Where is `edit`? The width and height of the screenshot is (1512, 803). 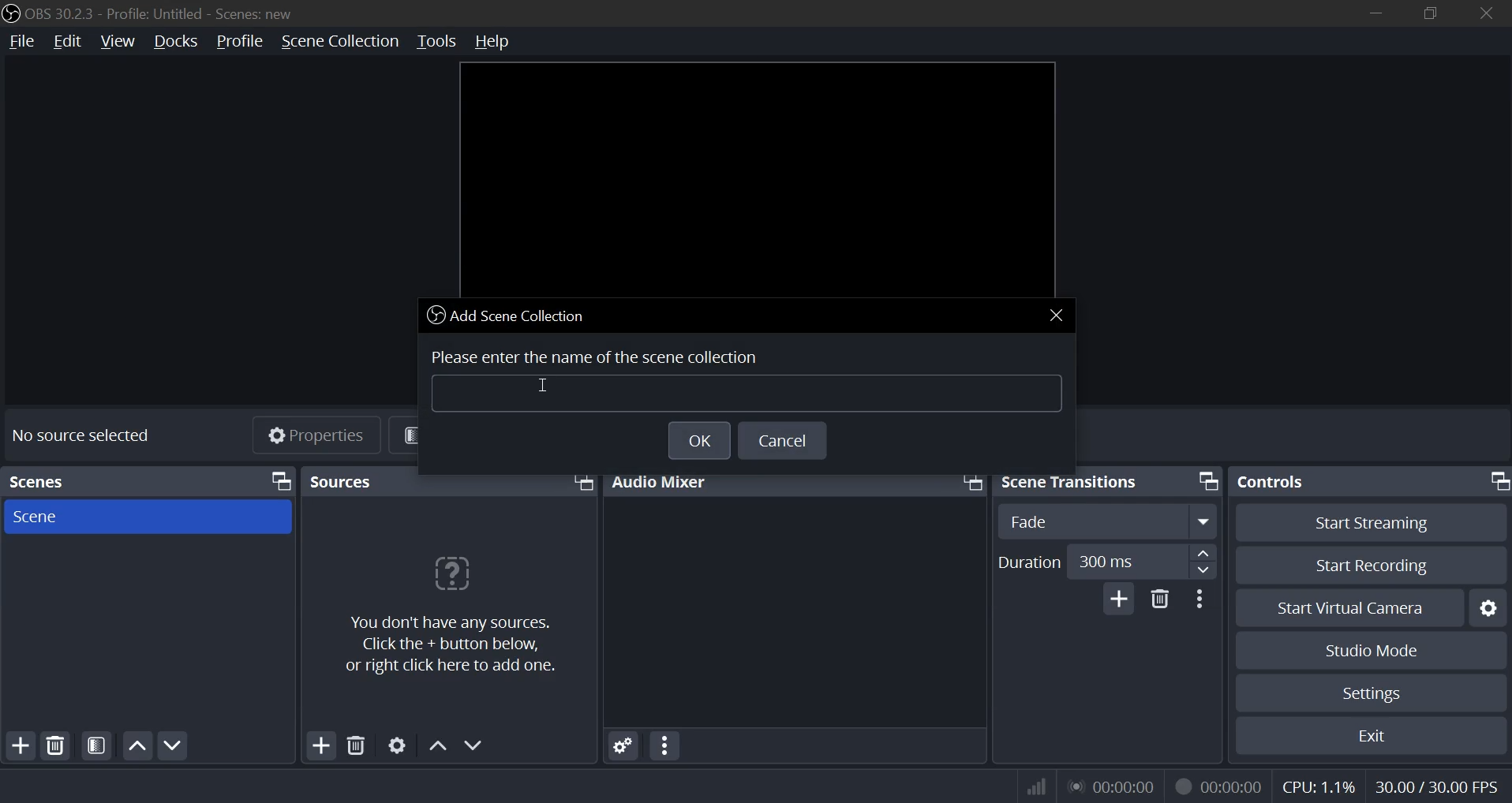
edit is located at coordinates (67, 42).